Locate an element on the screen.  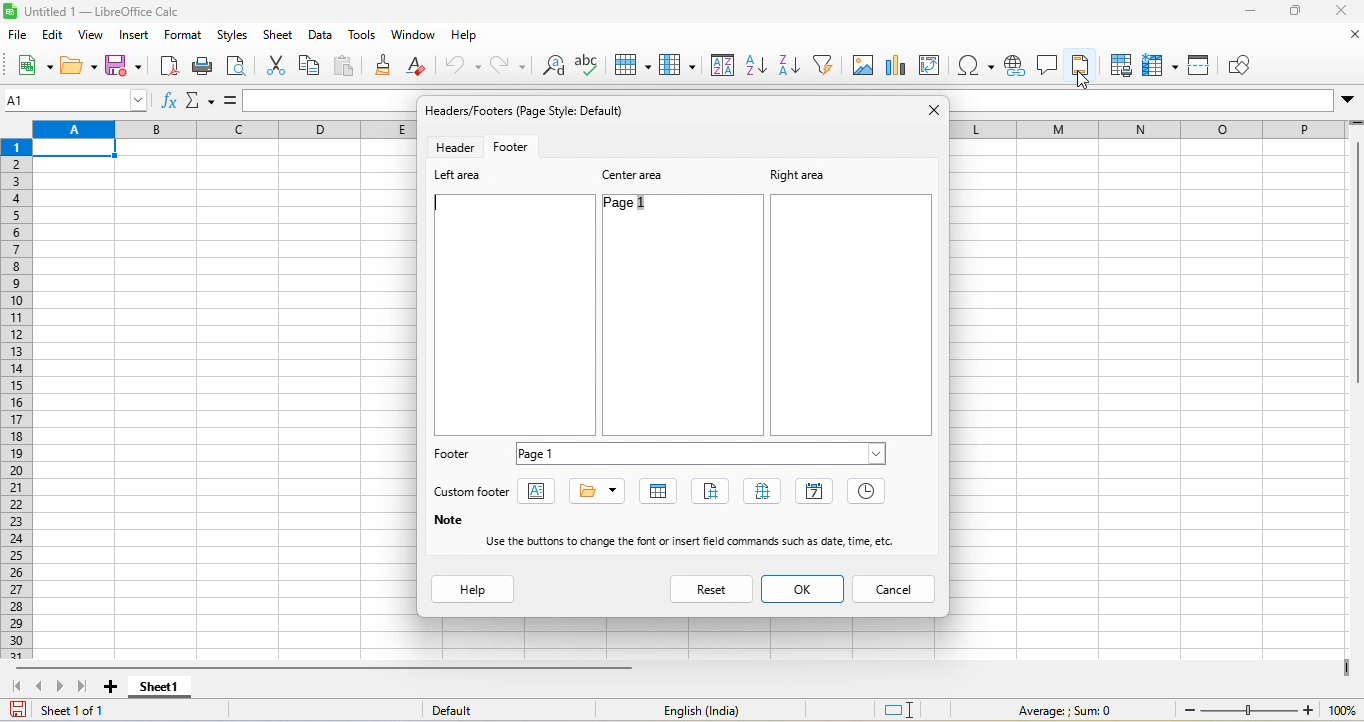
title is located at coordinates (598, 490).